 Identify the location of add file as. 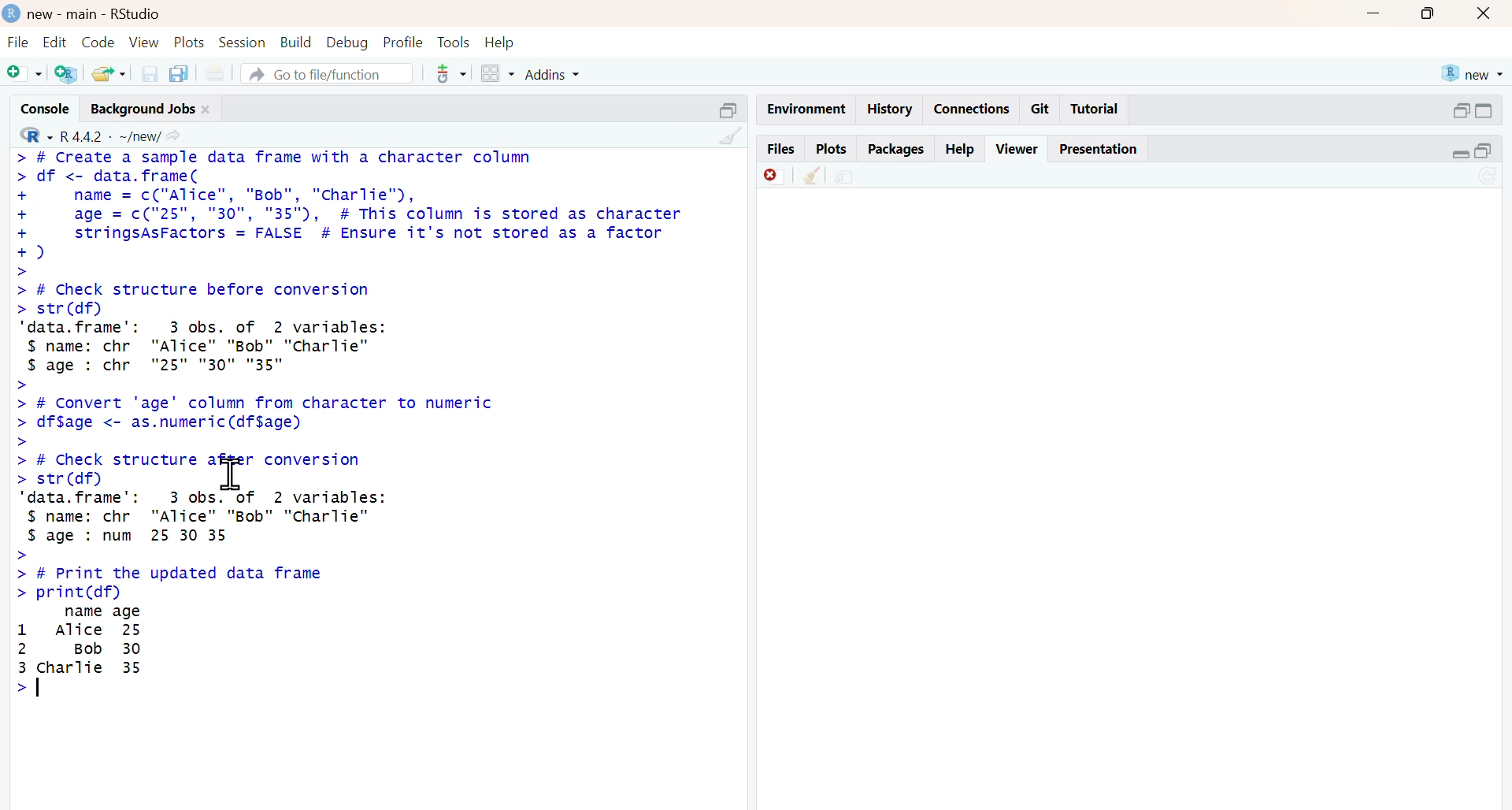
(25, 74).